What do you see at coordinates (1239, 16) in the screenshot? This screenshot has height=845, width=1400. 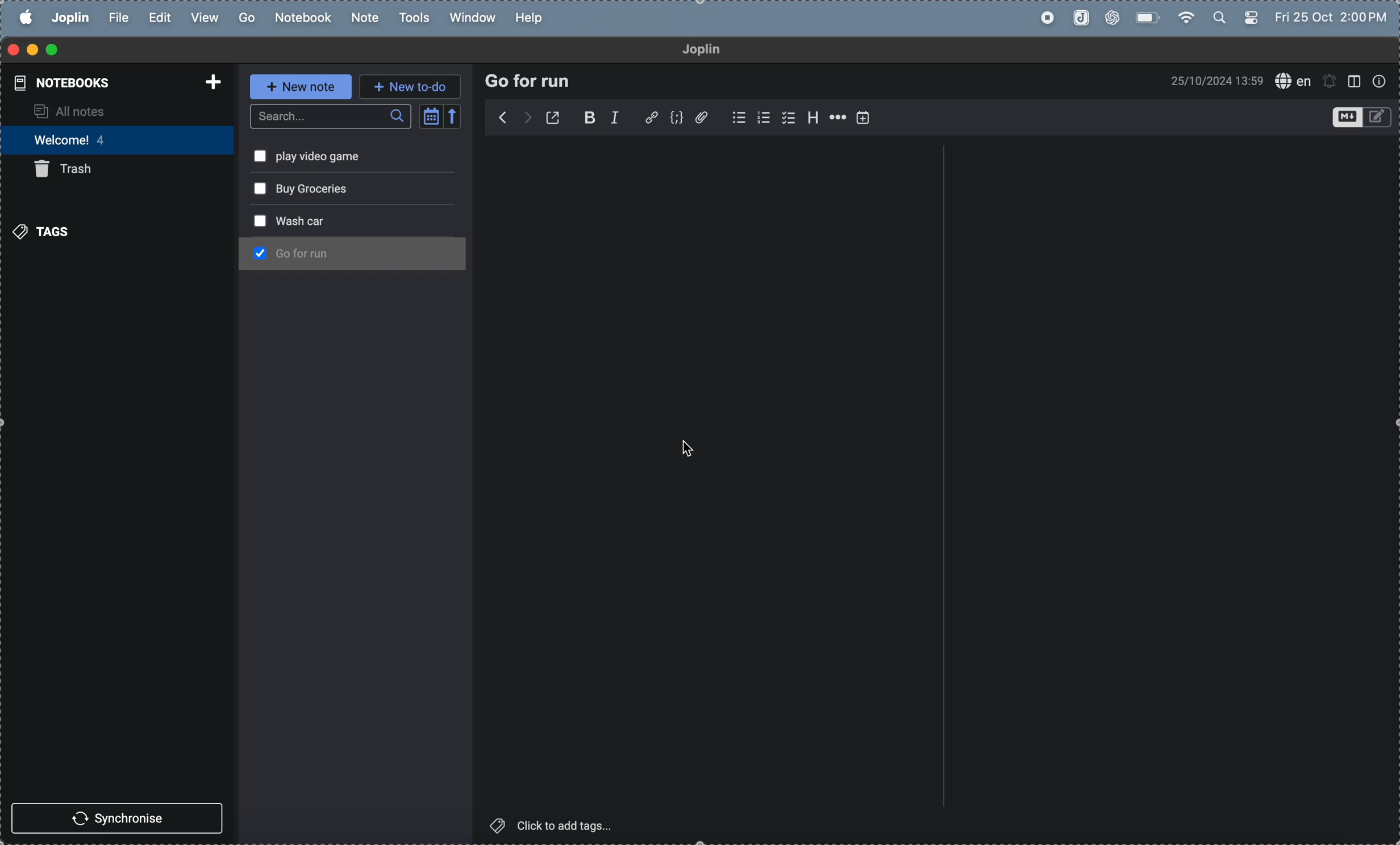 I see `apple widgets` at bounding box center [1239, 16].